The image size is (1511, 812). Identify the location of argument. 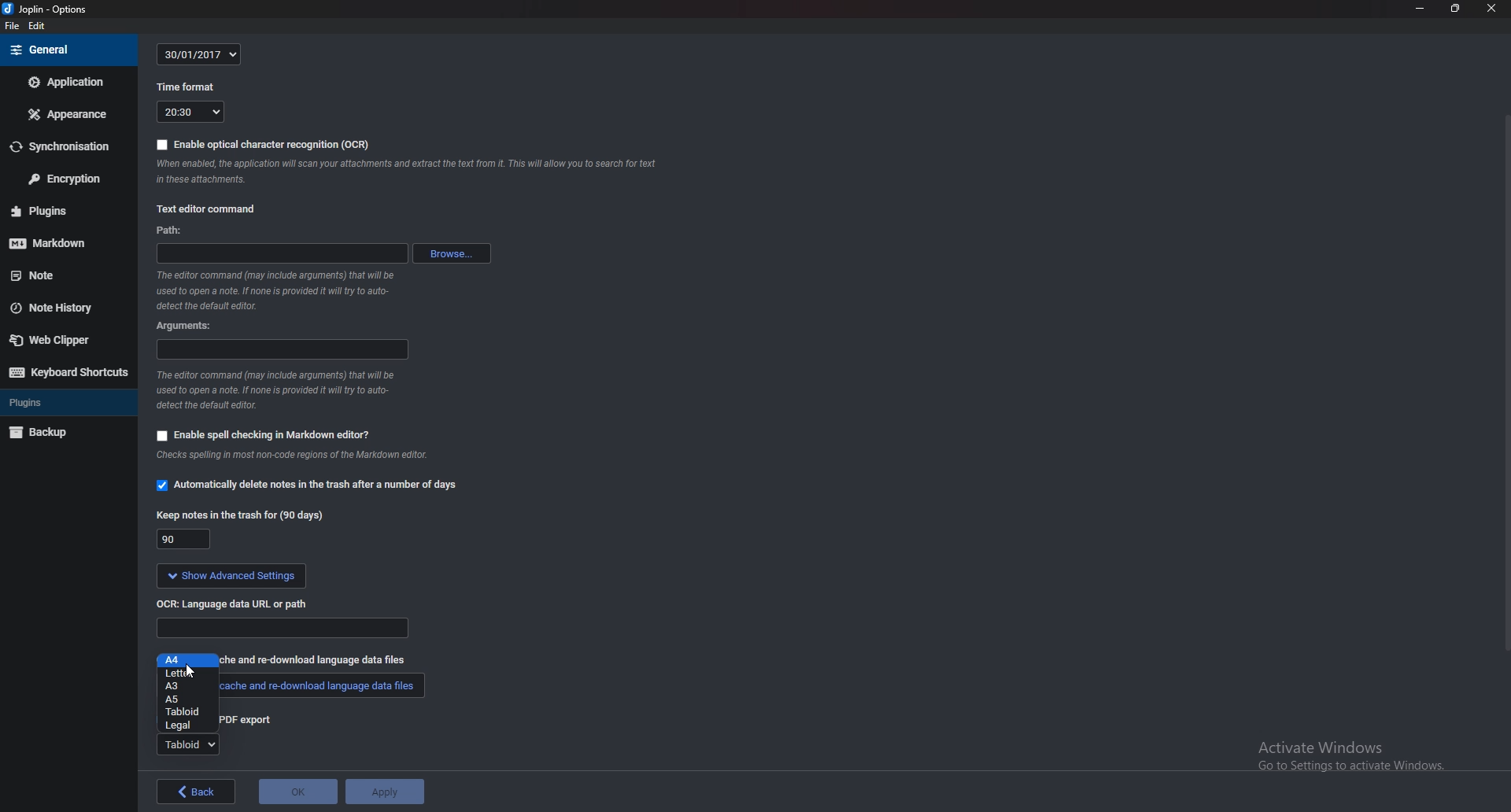
(282, 350).